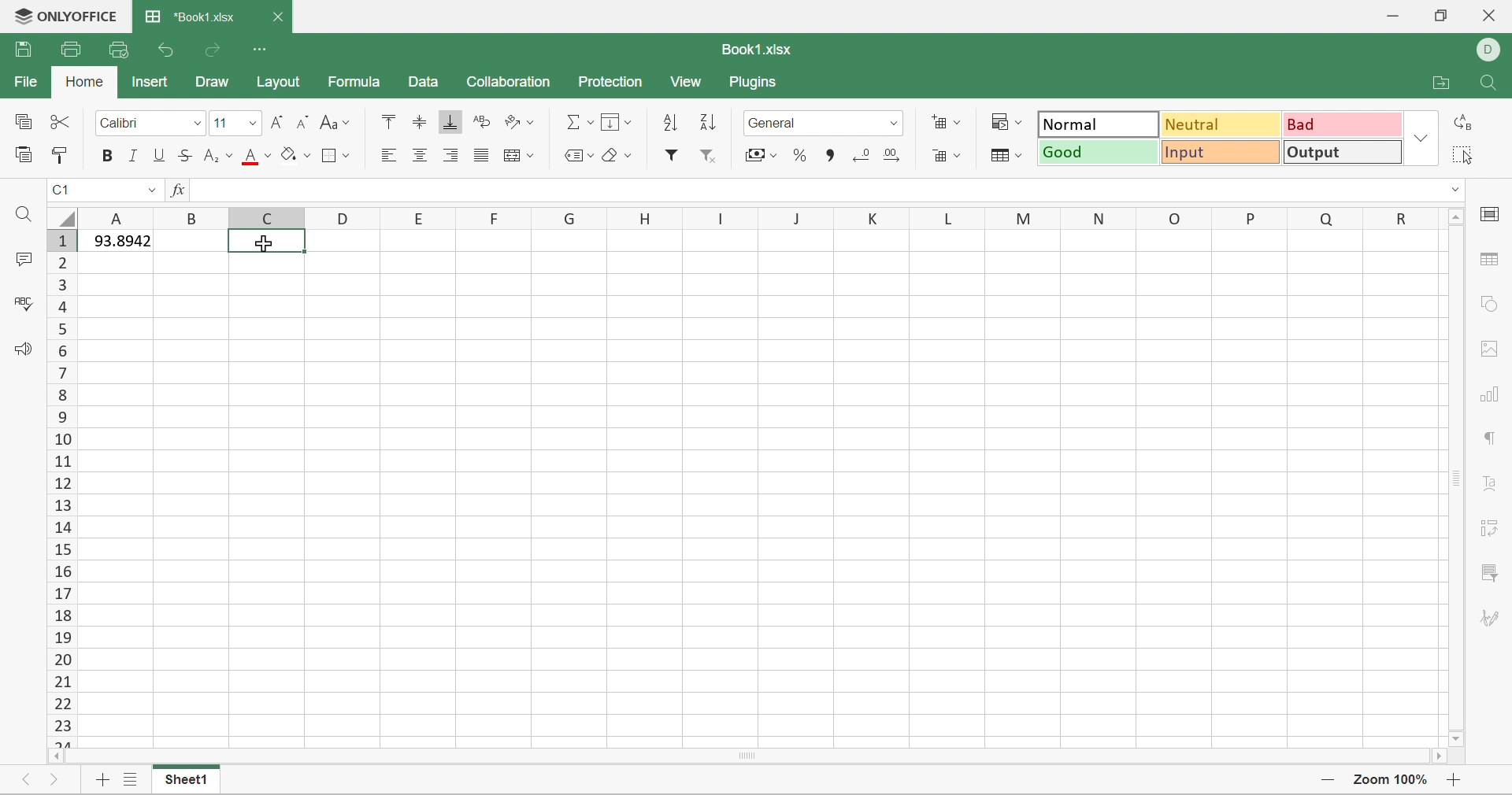  What do you see at coordinates (251, 122) in the screenshot?
I see `Drop Down` at bounding box center [251, 122].